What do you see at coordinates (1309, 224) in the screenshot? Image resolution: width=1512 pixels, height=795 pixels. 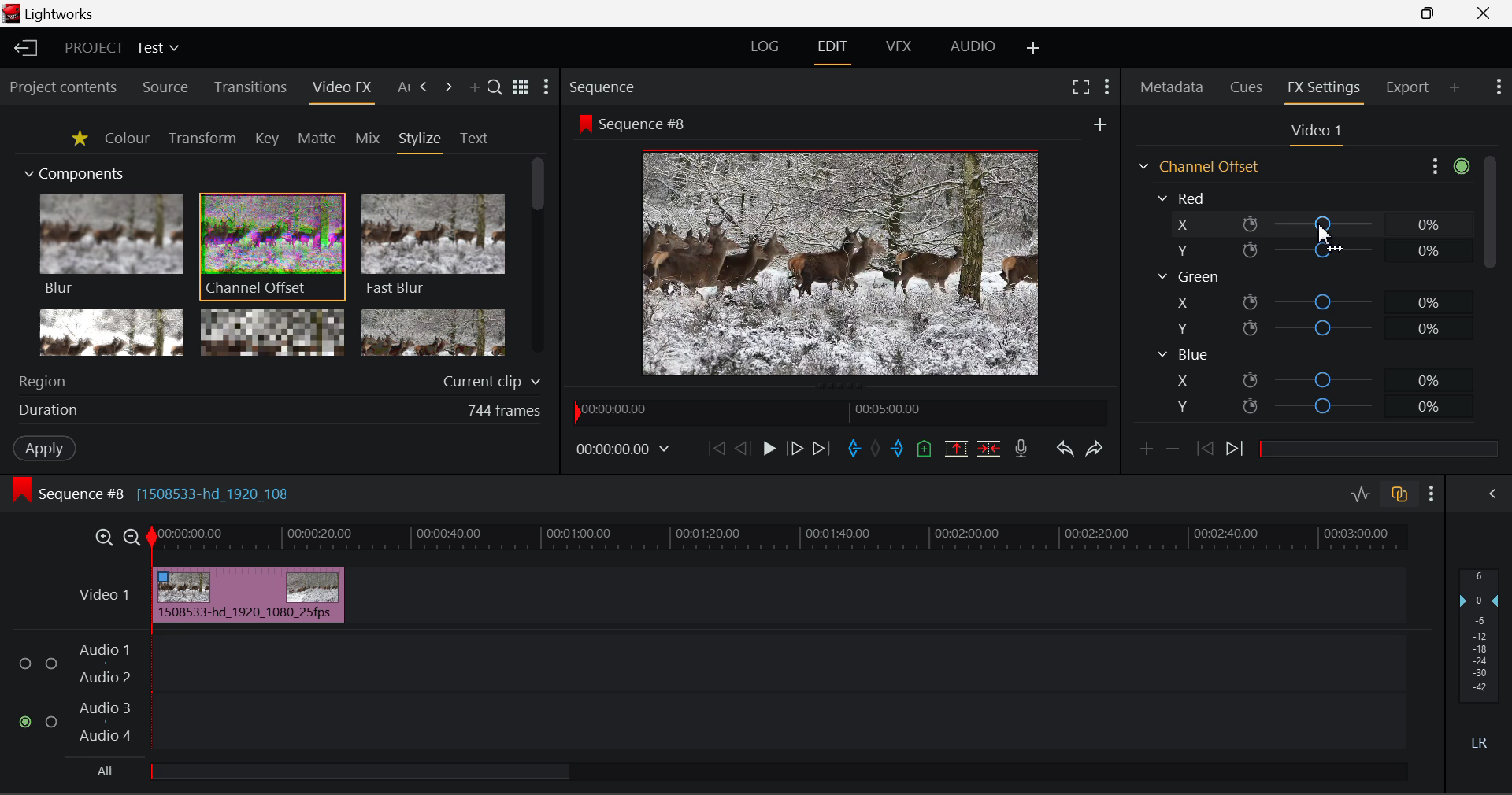 I see `Cursor on Red X` at bounding box center [1309, 224].